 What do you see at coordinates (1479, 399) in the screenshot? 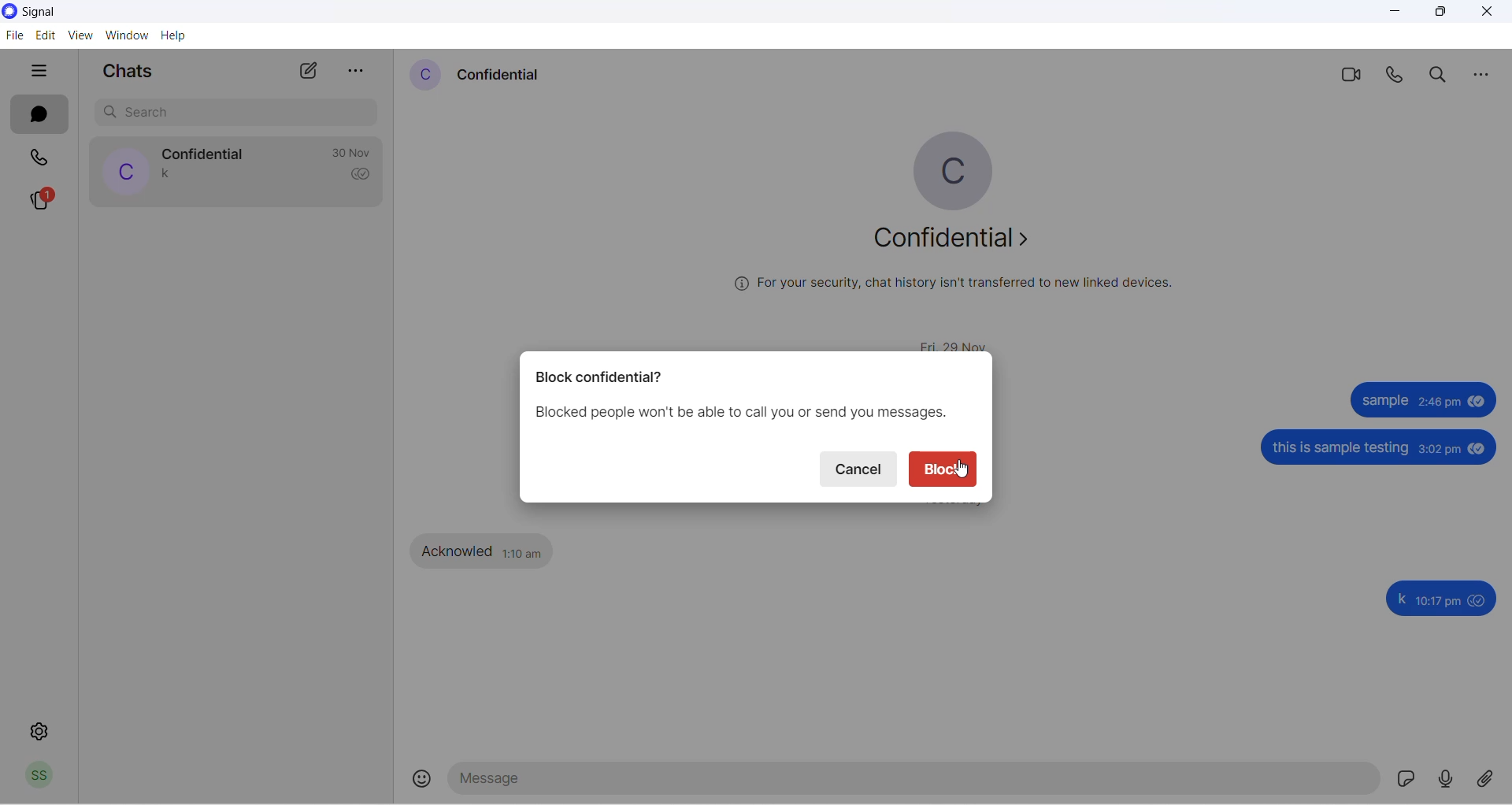
I see `seen` at bounding box center [1479, 399].